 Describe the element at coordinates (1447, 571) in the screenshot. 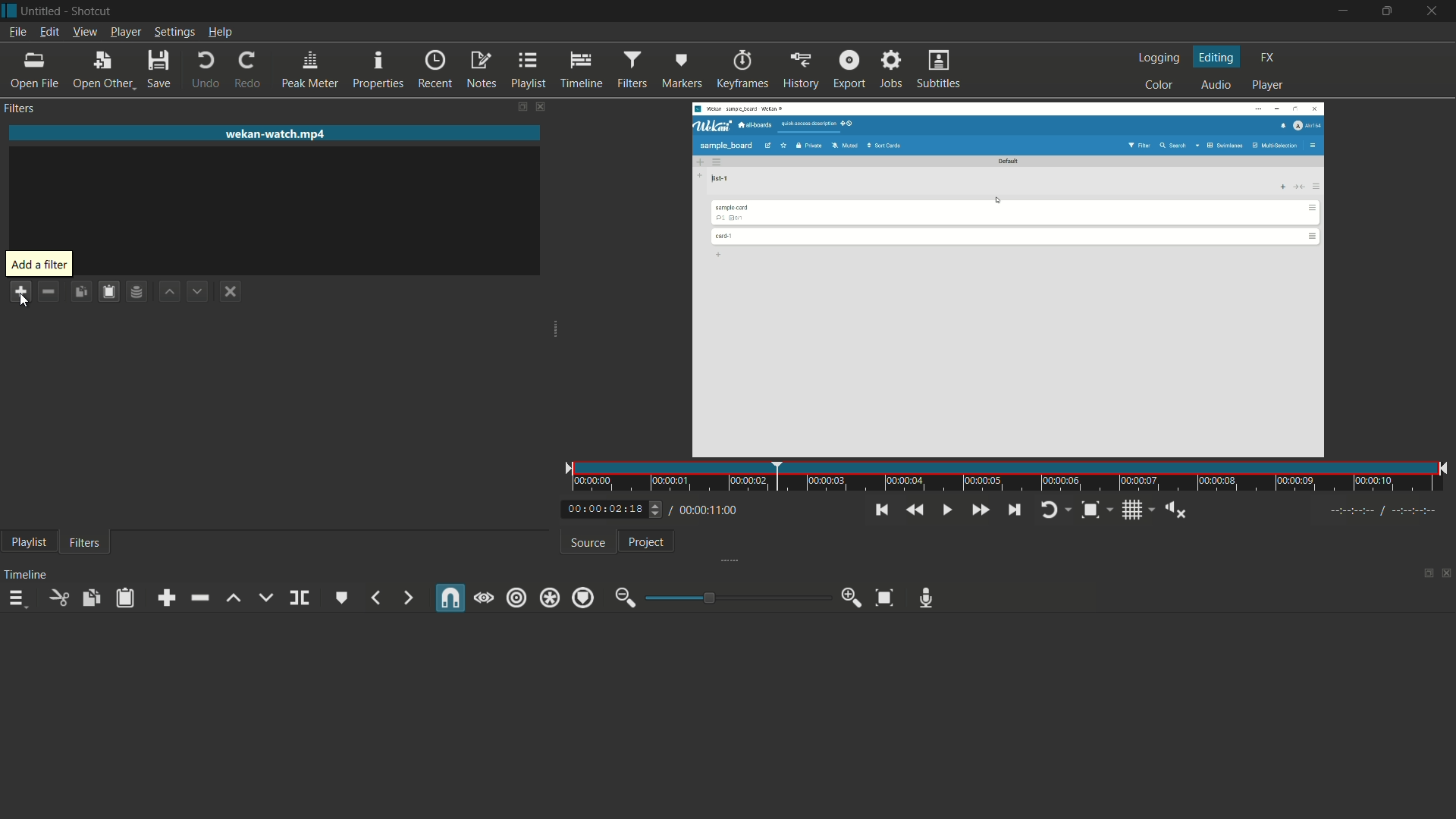

I see `close timeline` at that location.